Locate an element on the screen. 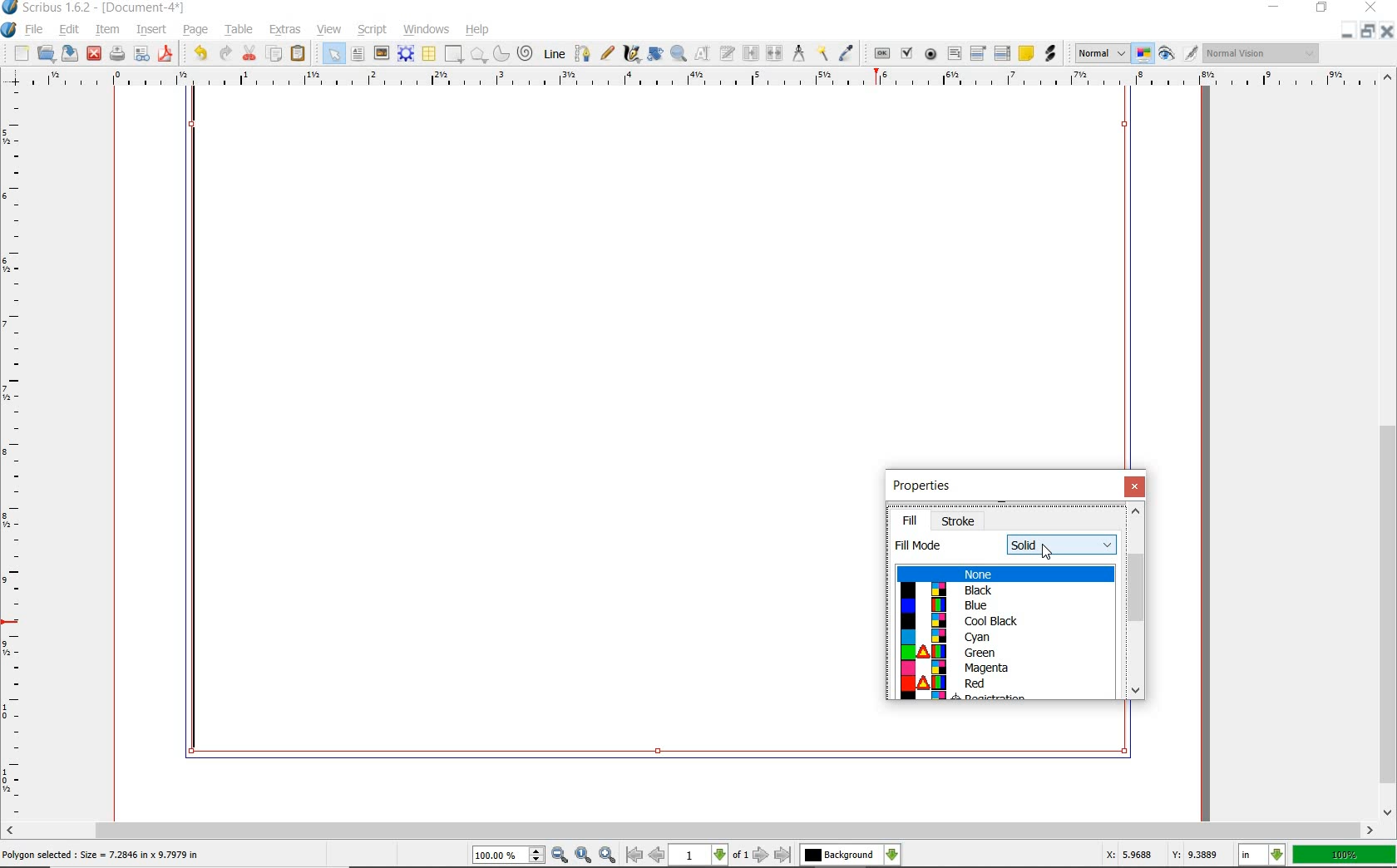  text frame is located at coordinates (358, 56).